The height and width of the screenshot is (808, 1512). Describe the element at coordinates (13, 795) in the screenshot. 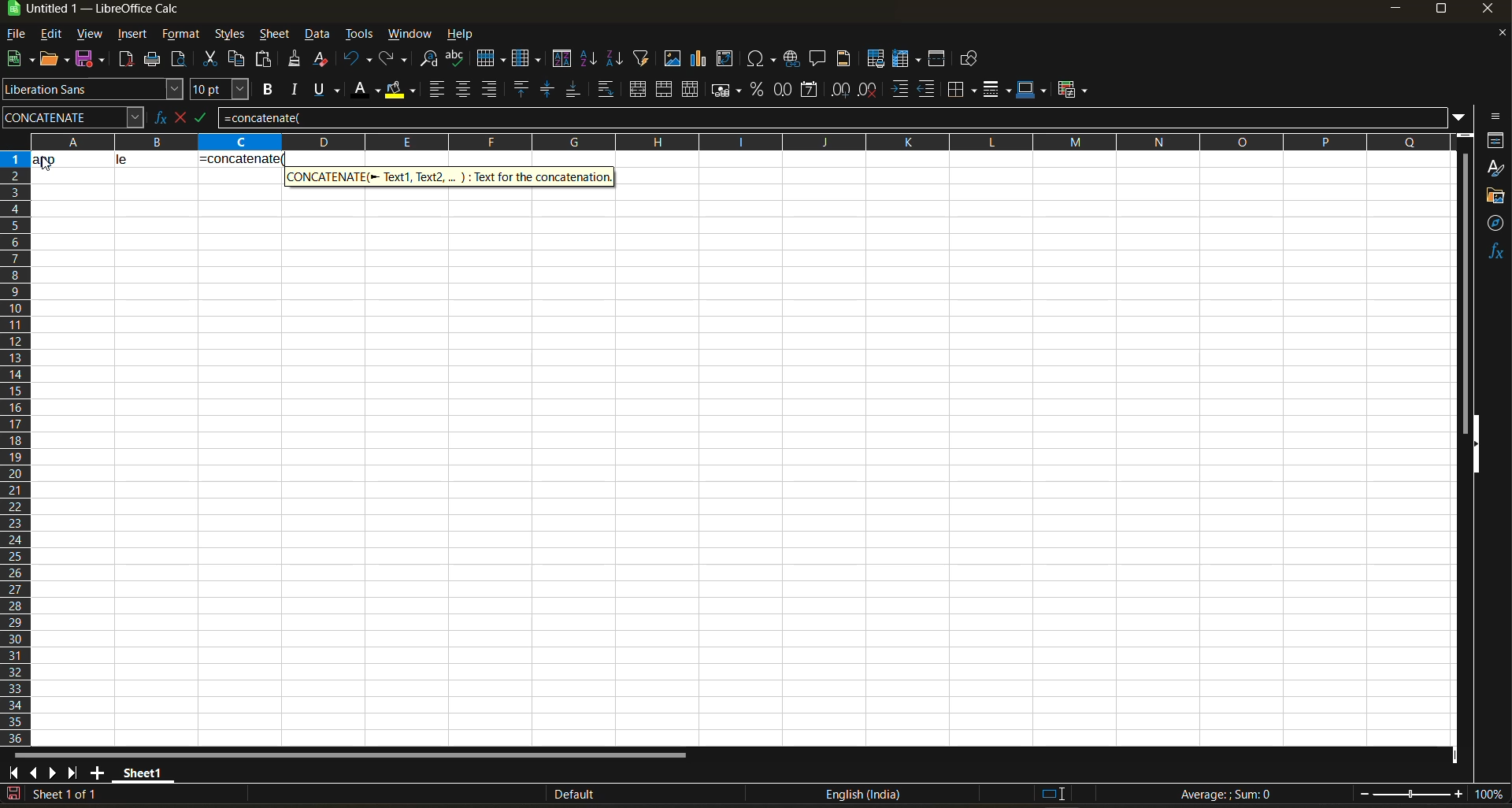

I see `click to save` at that location.